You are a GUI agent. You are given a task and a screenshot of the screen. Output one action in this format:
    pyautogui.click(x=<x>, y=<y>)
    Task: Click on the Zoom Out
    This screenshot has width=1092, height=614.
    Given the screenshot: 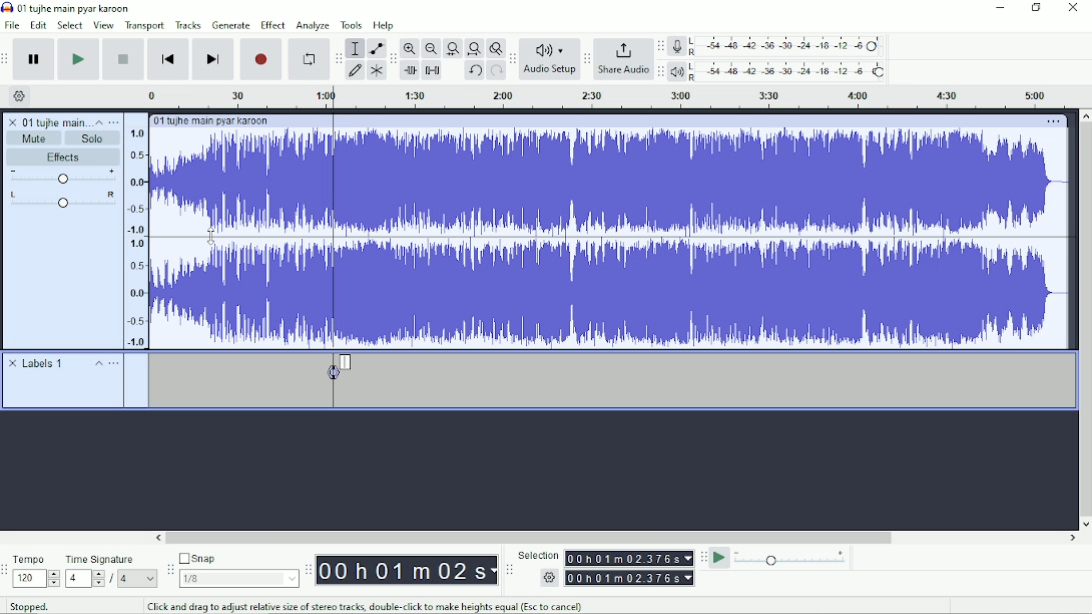 What is the action you would take?
    pyautogui.click(x=430, y=48)
    